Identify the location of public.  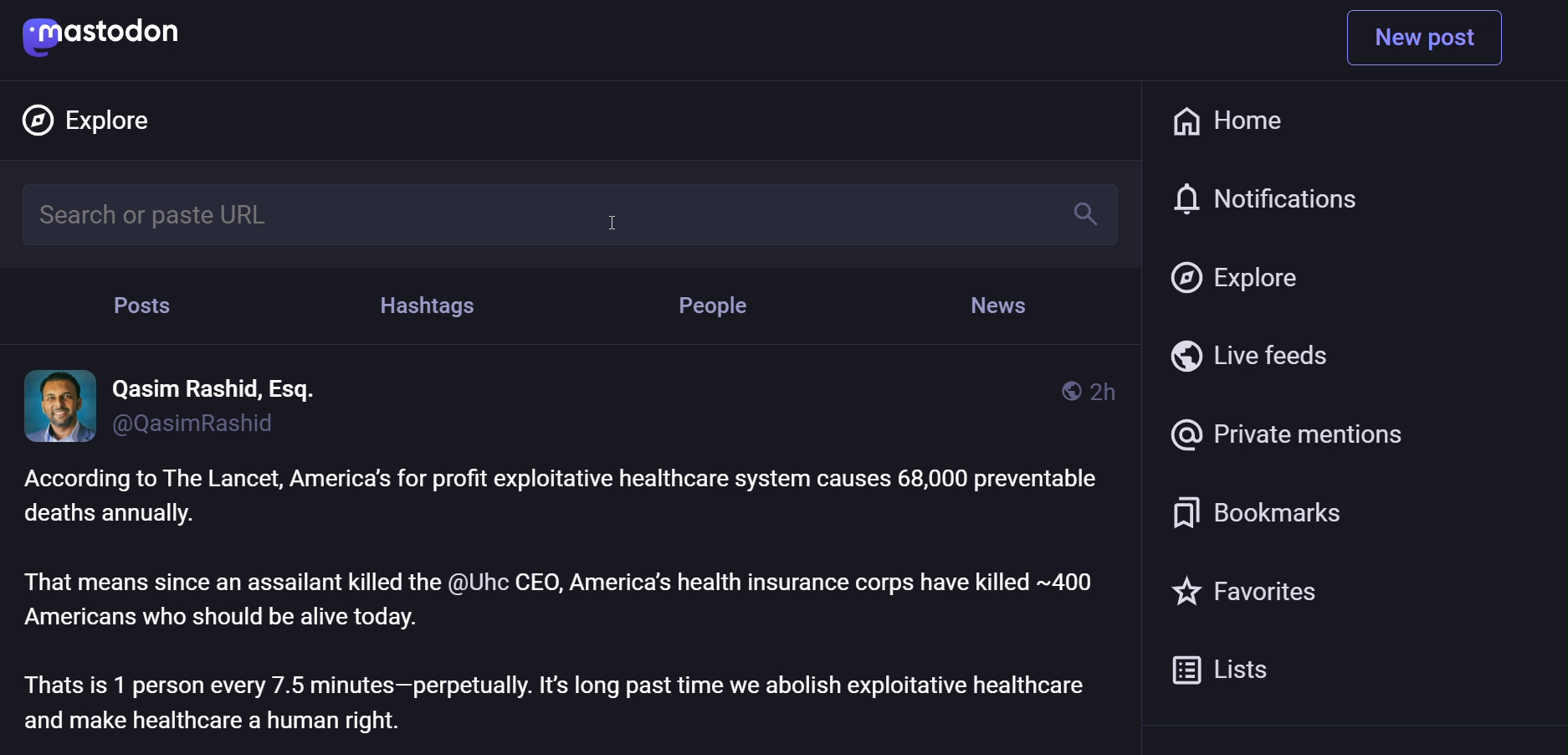
(1071, 389).